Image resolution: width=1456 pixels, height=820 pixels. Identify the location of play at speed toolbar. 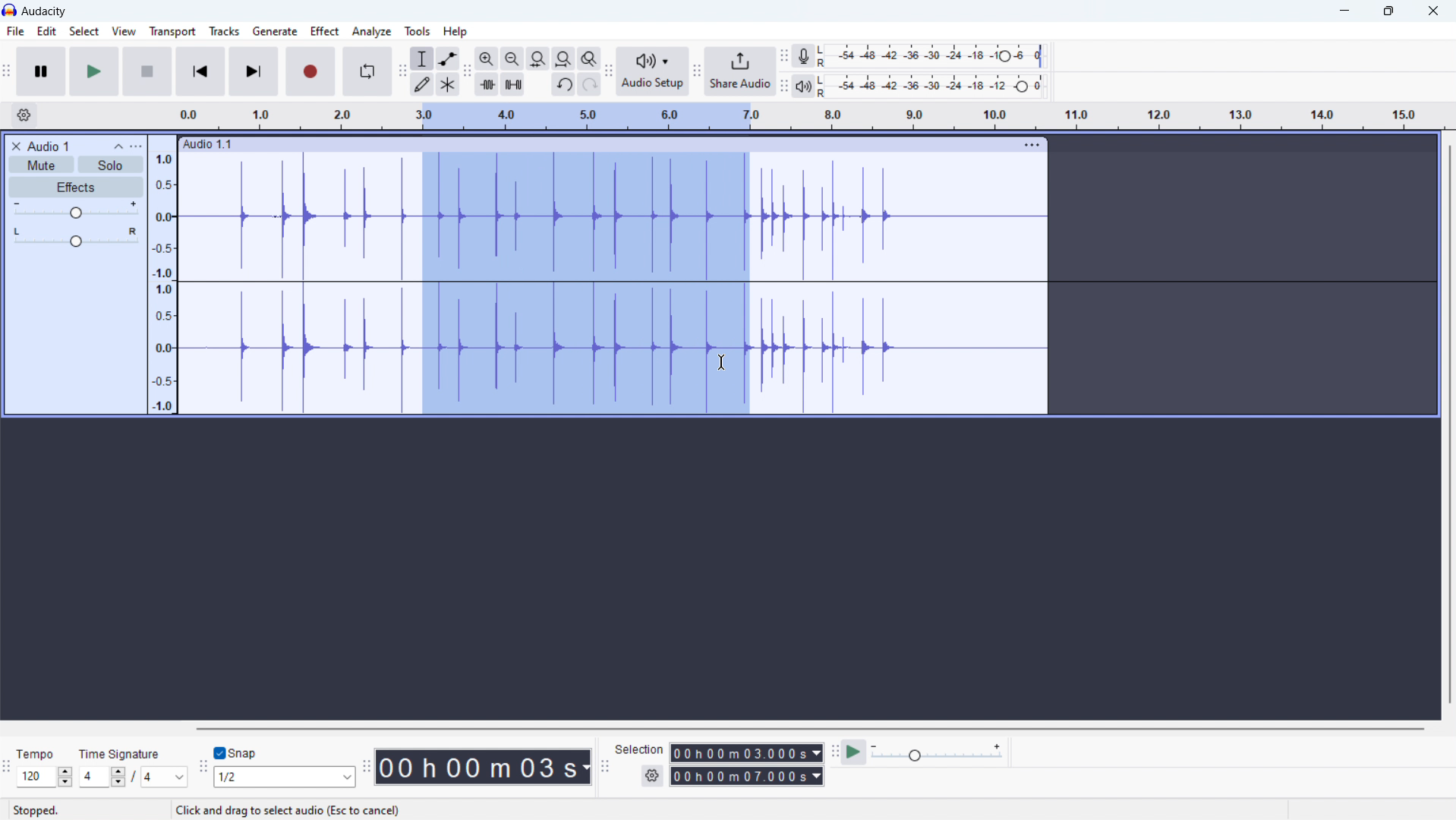
(834, 752).